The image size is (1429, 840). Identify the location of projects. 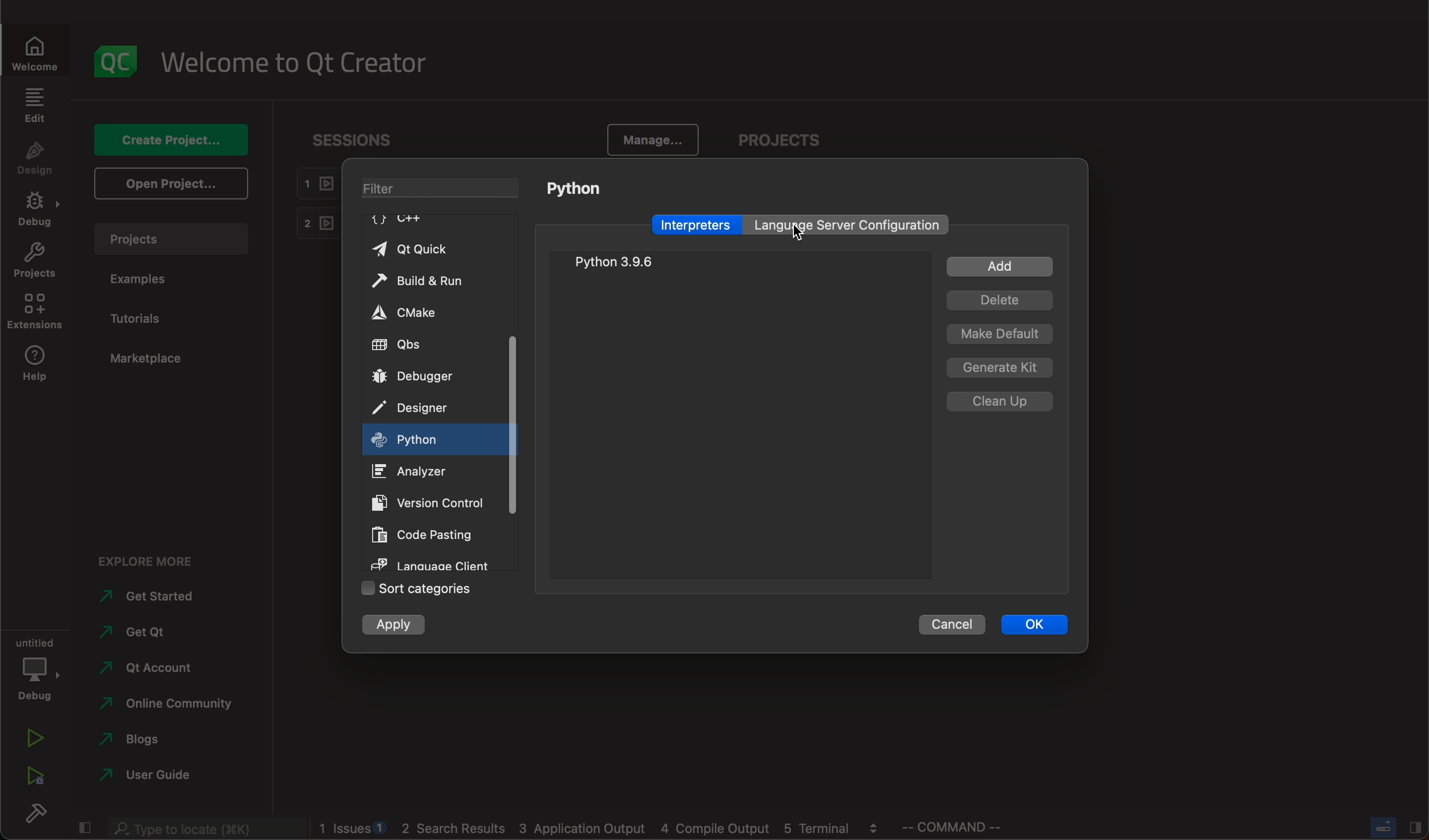
(171, 239).